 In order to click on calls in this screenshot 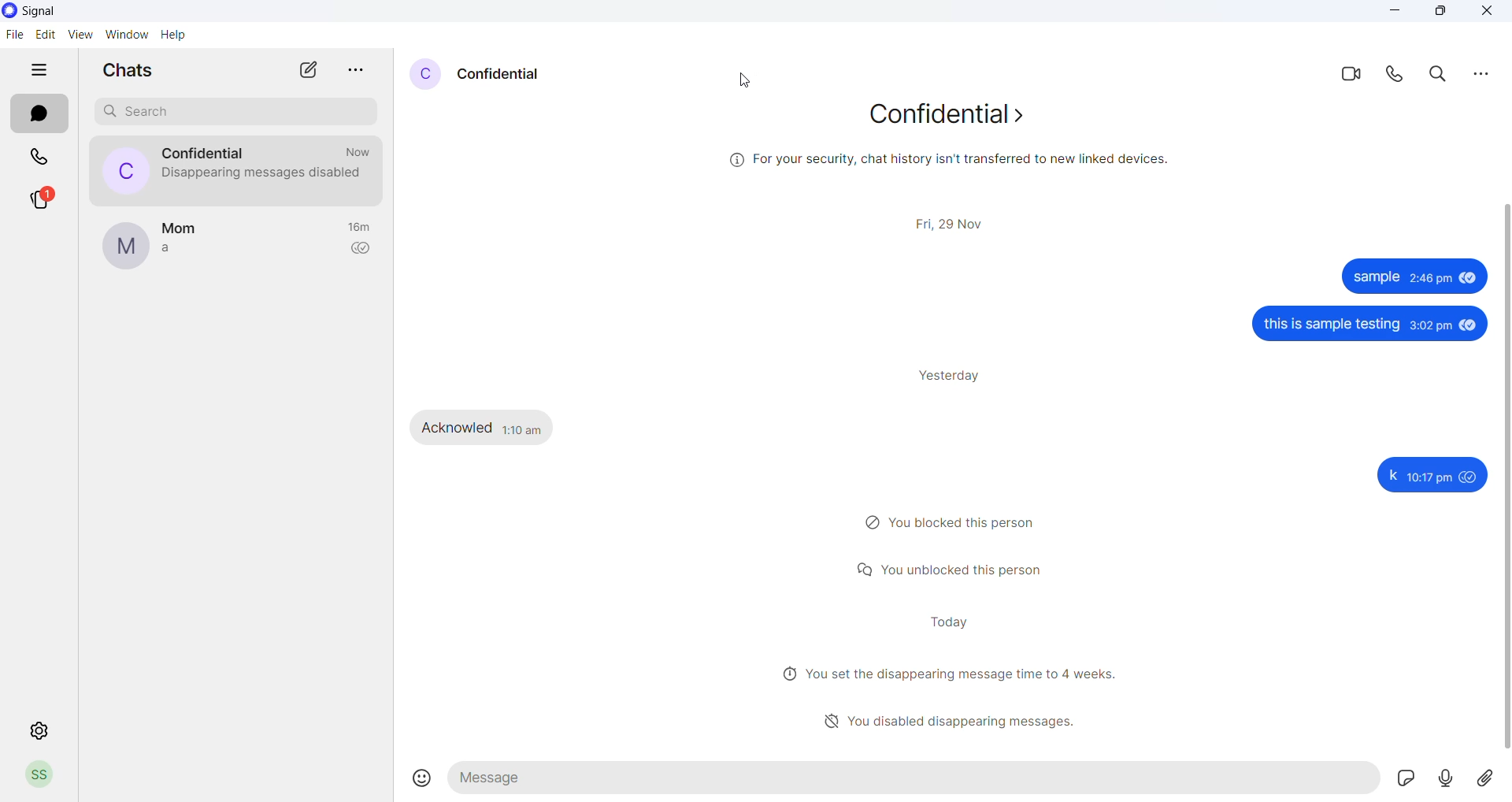, I will do `click(39, 157)`.